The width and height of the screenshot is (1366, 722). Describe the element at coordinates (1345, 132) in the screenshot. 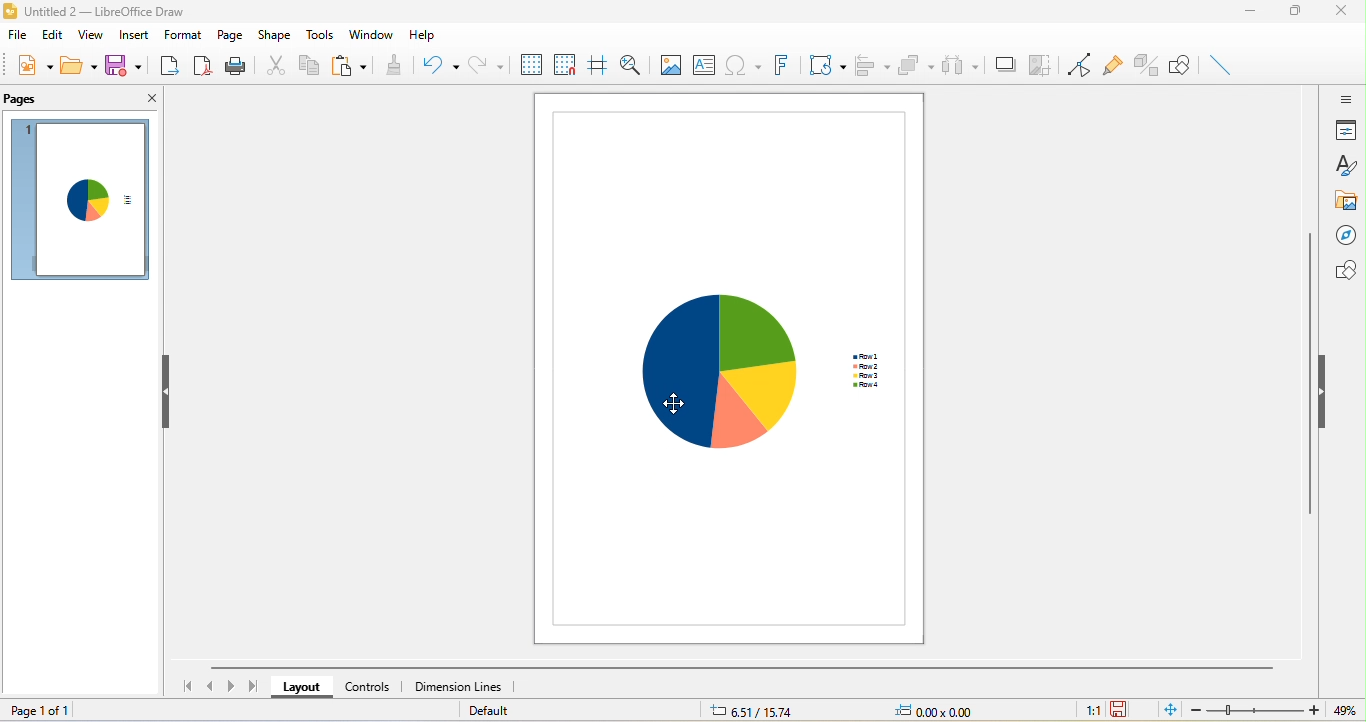

I see `properties` at that location.